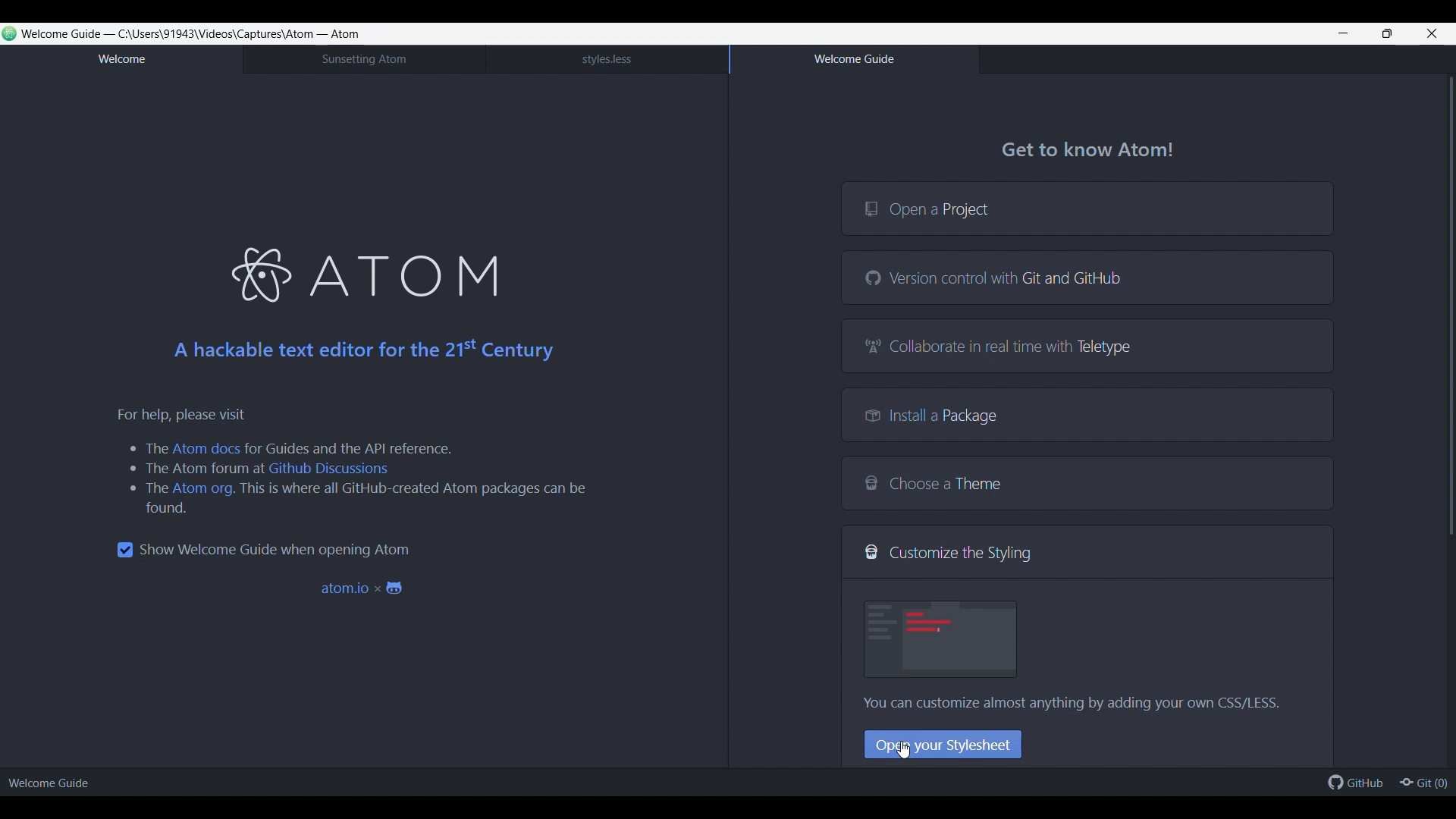 This screenshot has height=819, width=1456. I want to click on food., so click(155, 509).